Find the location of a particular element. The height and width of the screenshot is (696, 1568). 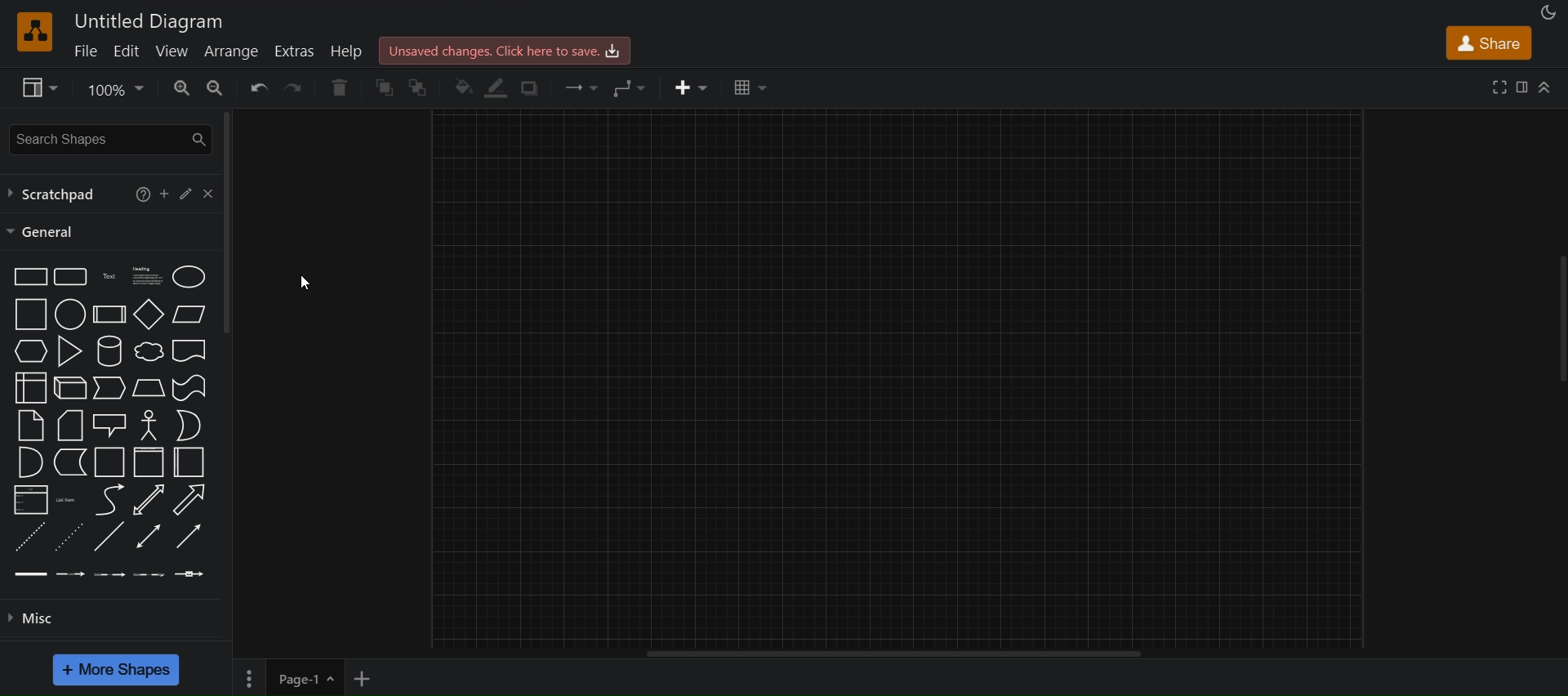

share is located at coordinates (1490, 41).